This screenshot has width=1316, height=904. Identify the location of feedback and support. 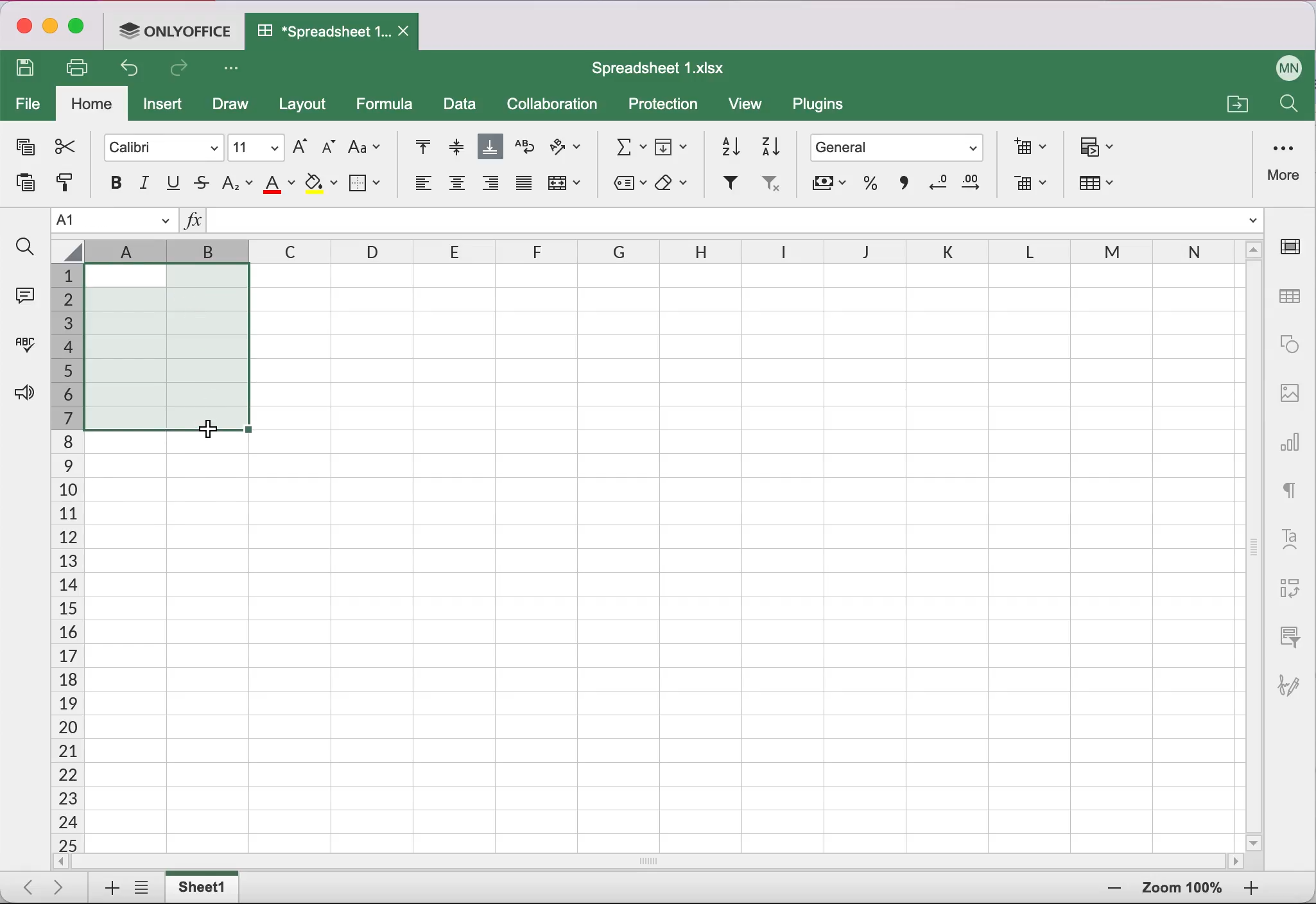
(21, 394).